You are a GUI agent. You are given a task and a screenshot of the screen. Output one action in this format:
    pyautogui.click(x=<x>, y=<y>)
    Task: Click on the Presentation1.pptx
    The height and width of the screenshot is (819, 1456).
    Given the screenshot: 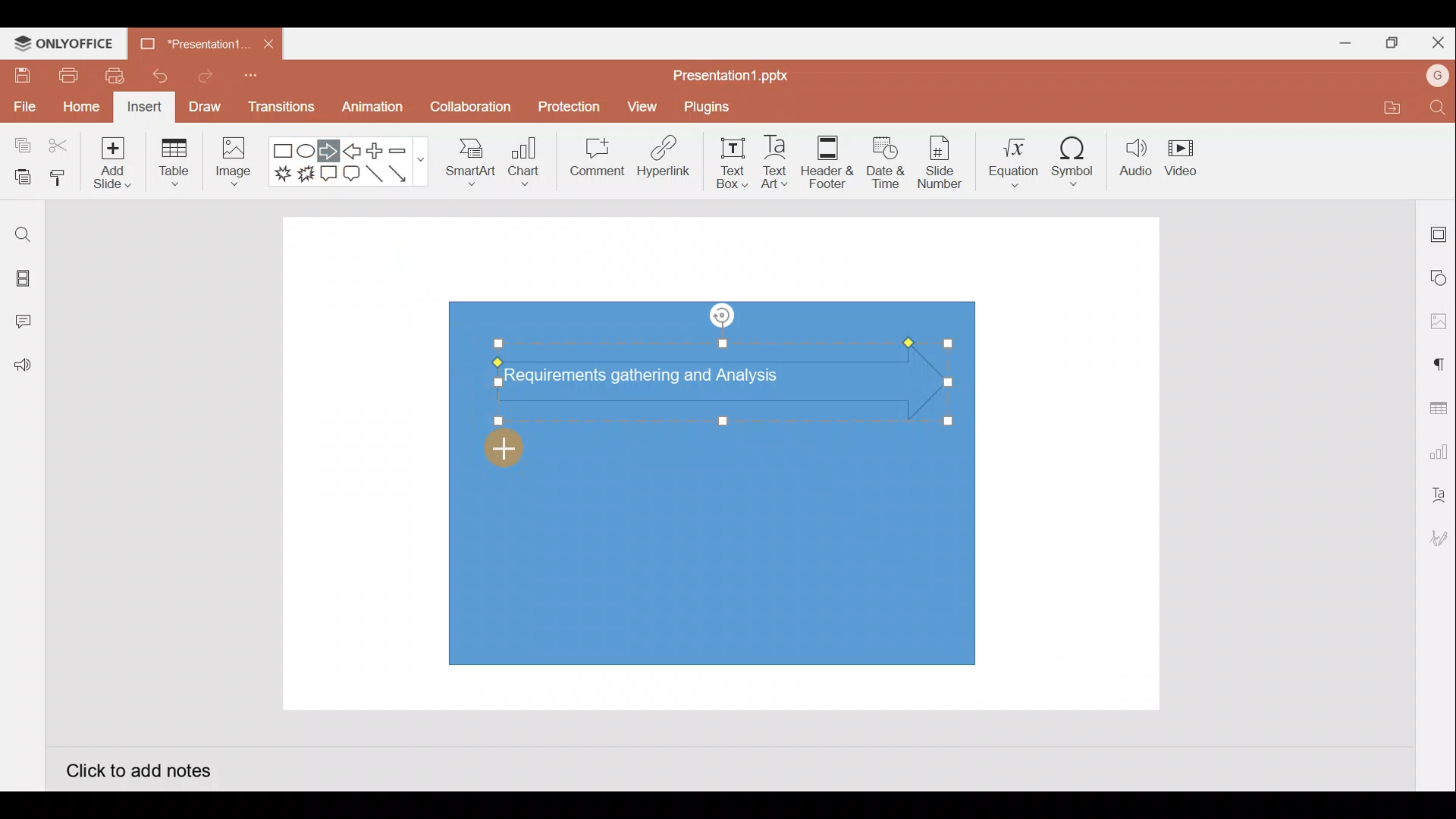 What is the action you would take?
    pyautogui.click(x=736, y=71)
    